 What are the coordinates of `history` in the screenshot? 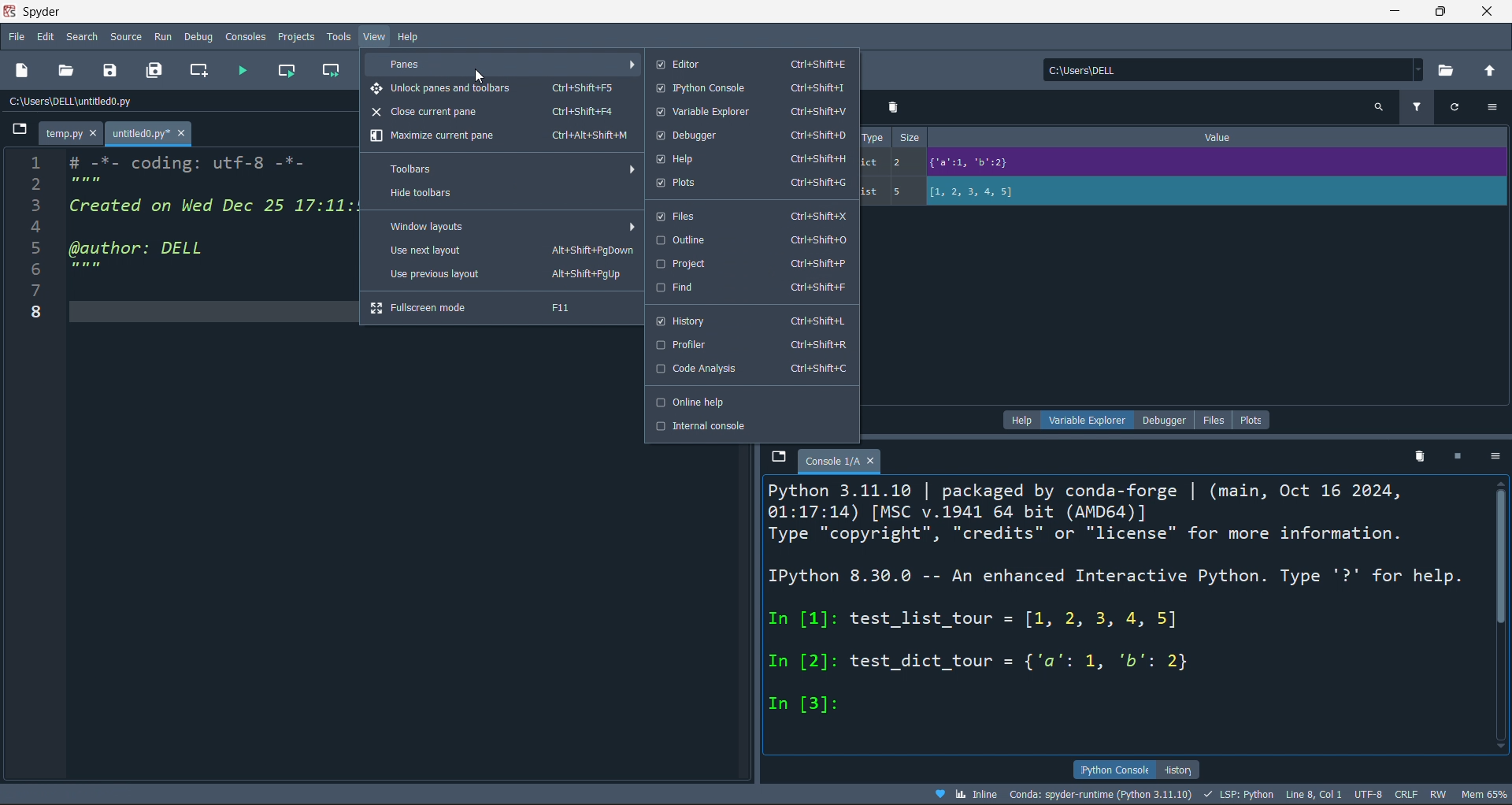 It's located at (751, 321).